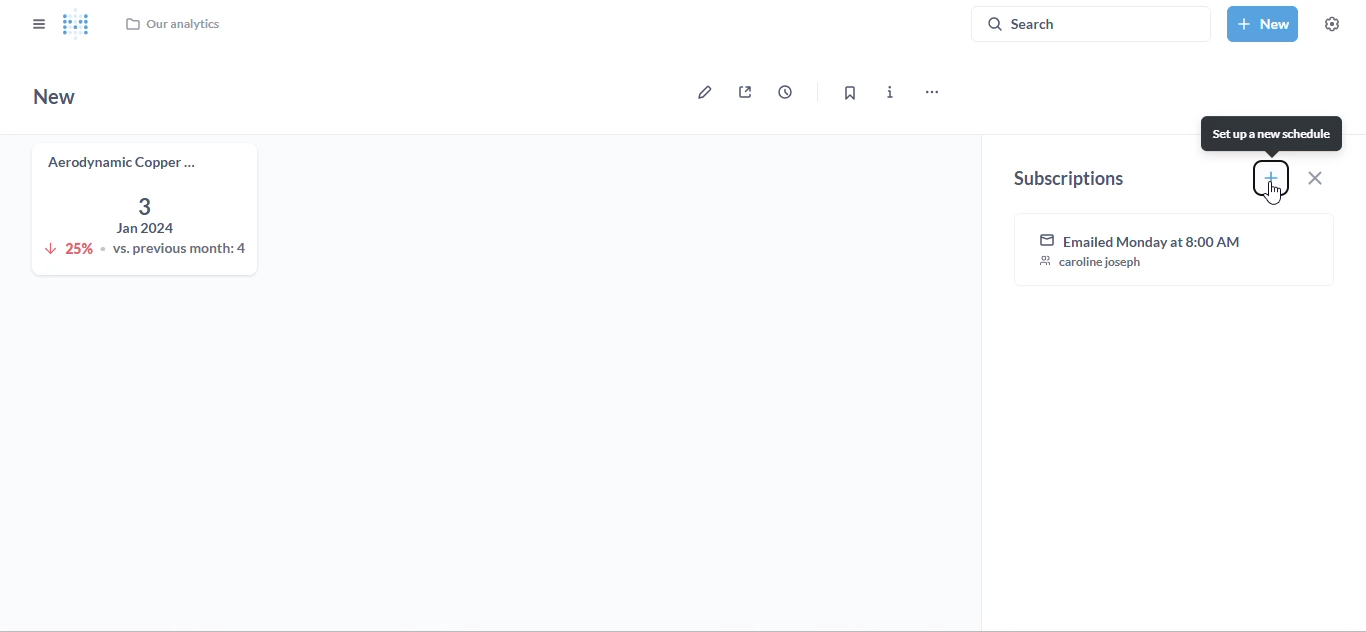 This screenshot has height=632, width=1366. Describe the element at coordinates (1315, 177) in the screenshot. I see `close` at that location.